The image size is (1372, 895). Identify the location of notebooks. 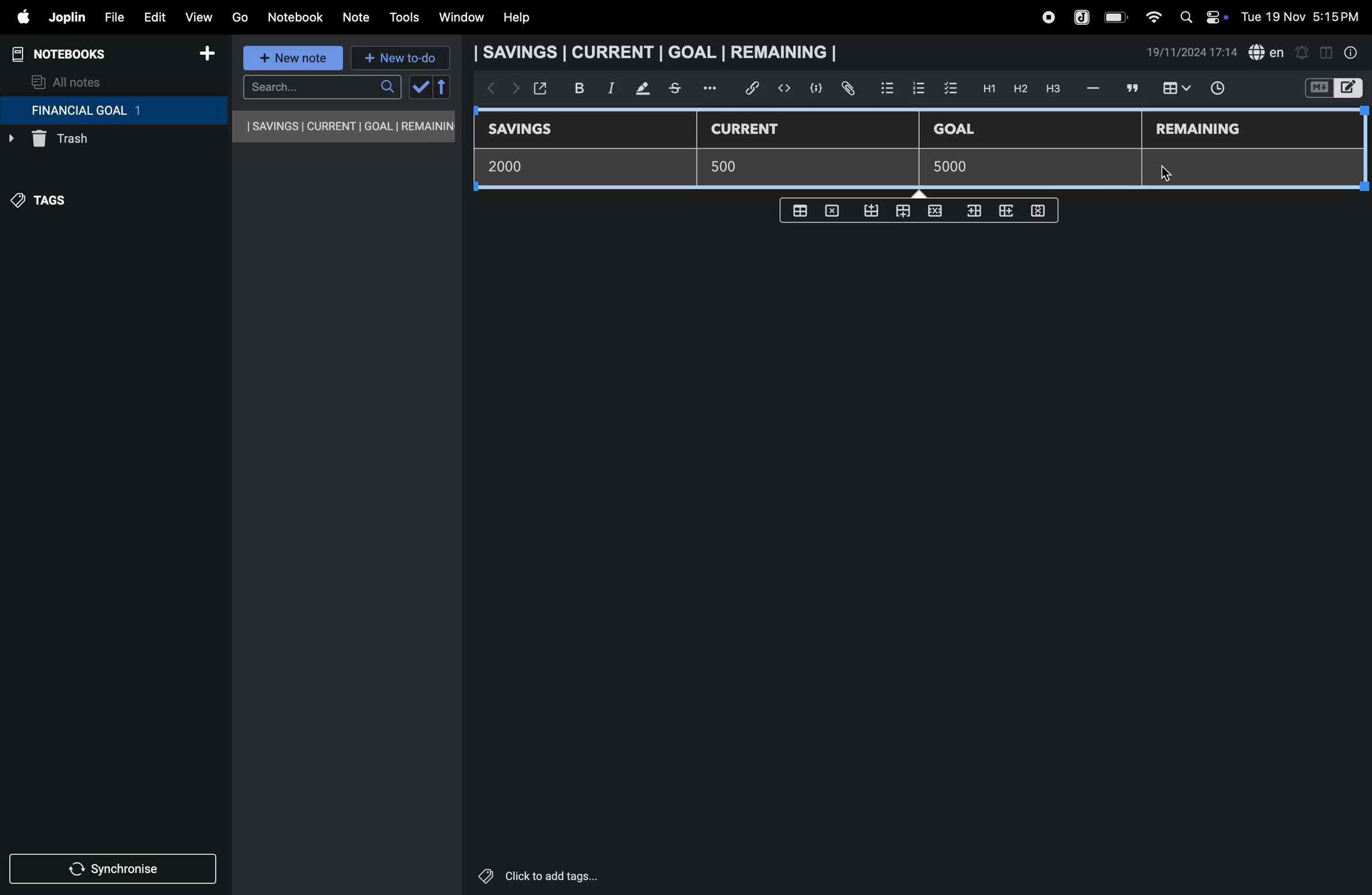
(69, 54).